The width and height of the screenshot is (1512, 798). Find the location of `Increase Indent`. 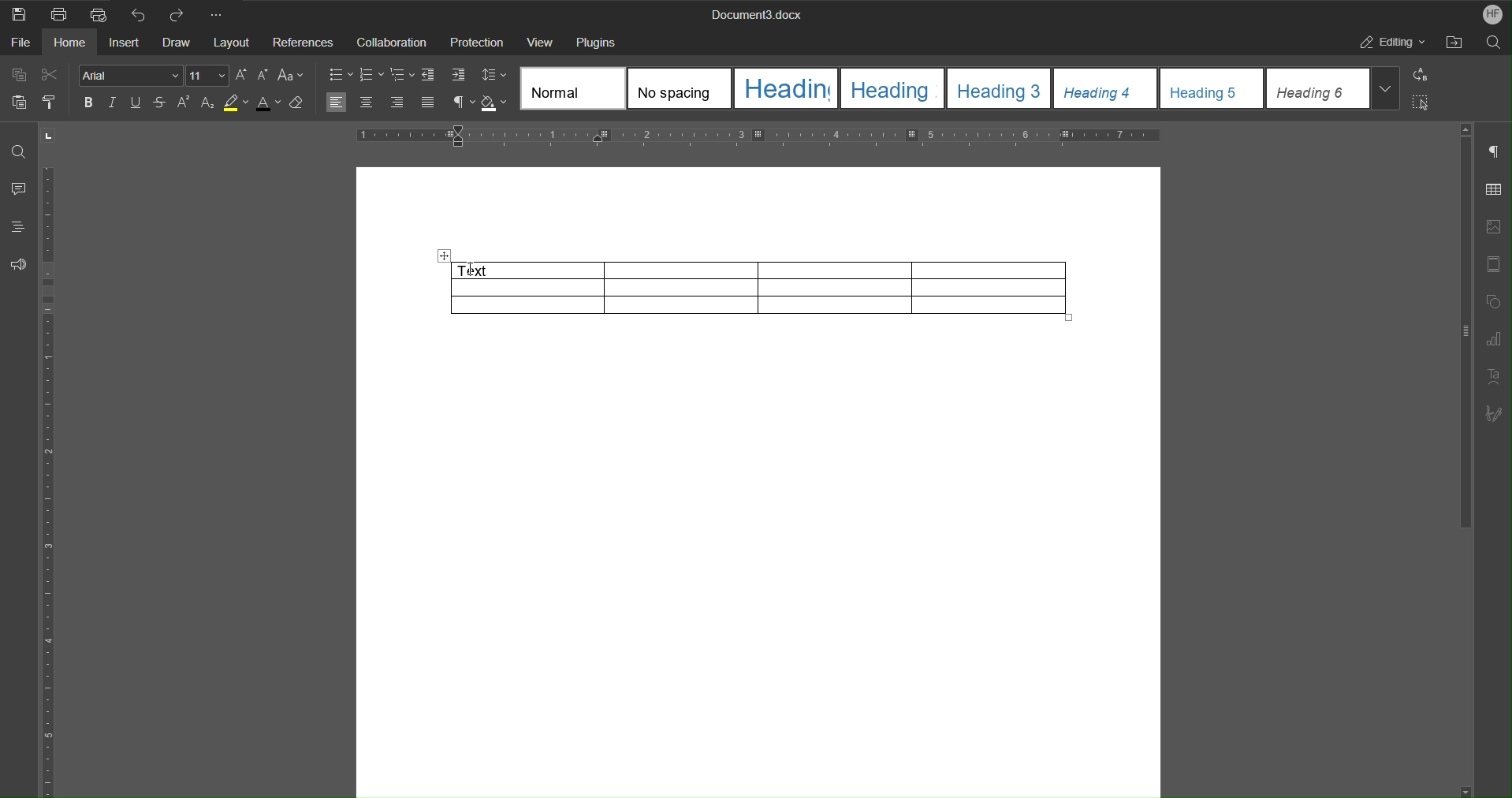

Increase Indent is located at coordinates (460, 76).